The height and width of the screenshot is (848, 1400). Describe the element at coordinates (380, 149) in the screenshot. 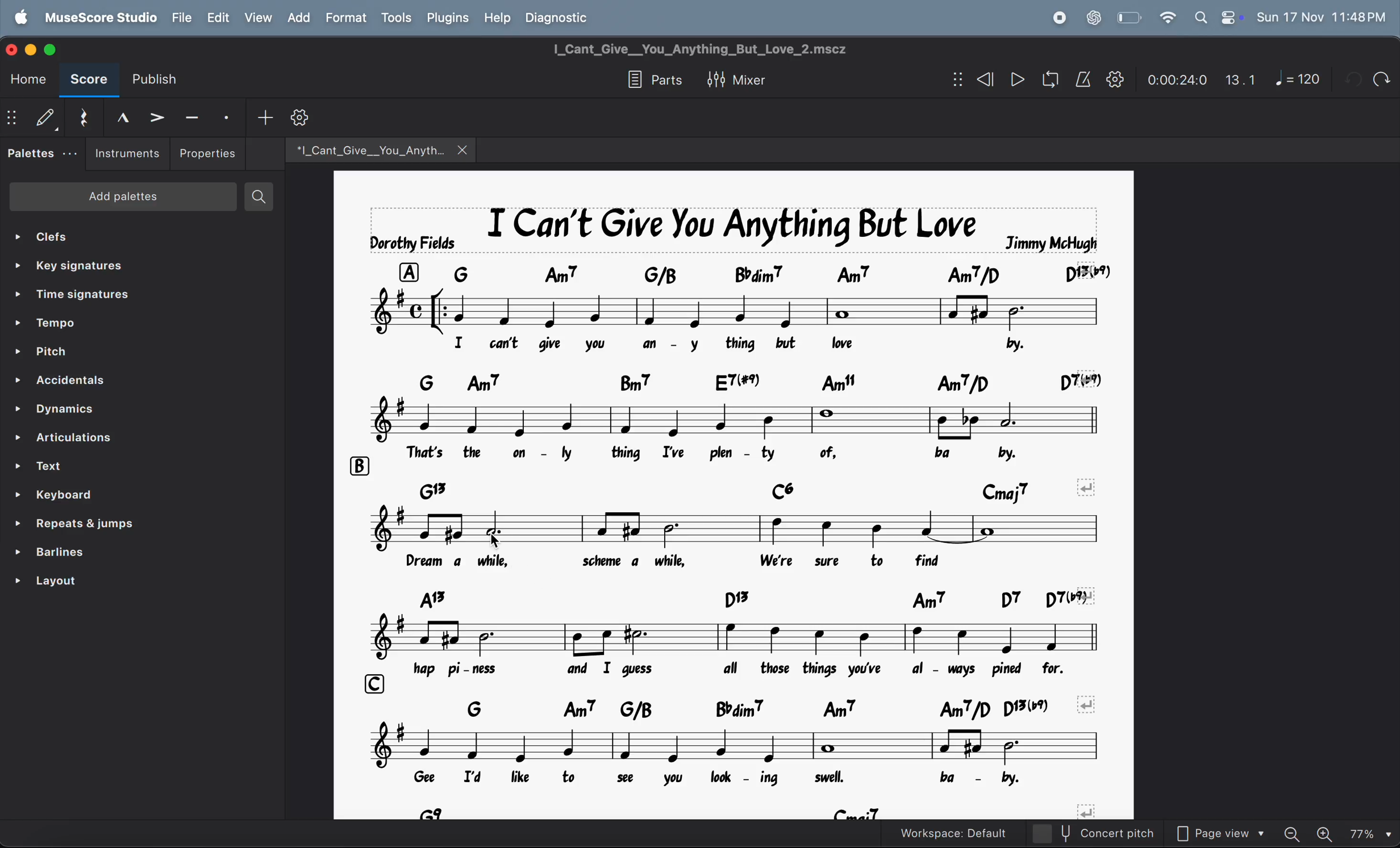

I see `music files` at that location.